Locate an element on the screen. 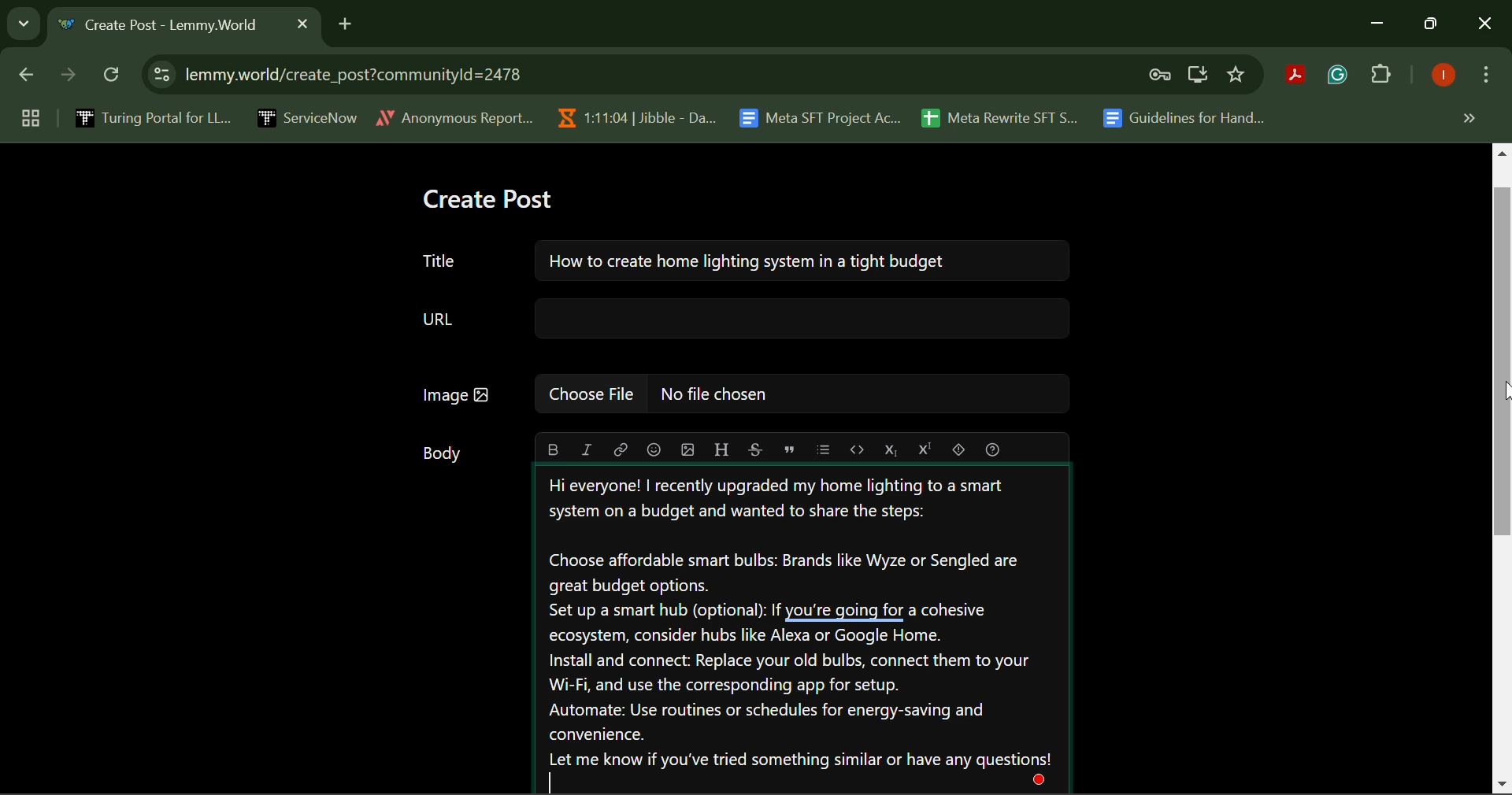 Image resolution: width=1512 pixels, height=795 pixels. upload image is located at coordinates (688, 449).